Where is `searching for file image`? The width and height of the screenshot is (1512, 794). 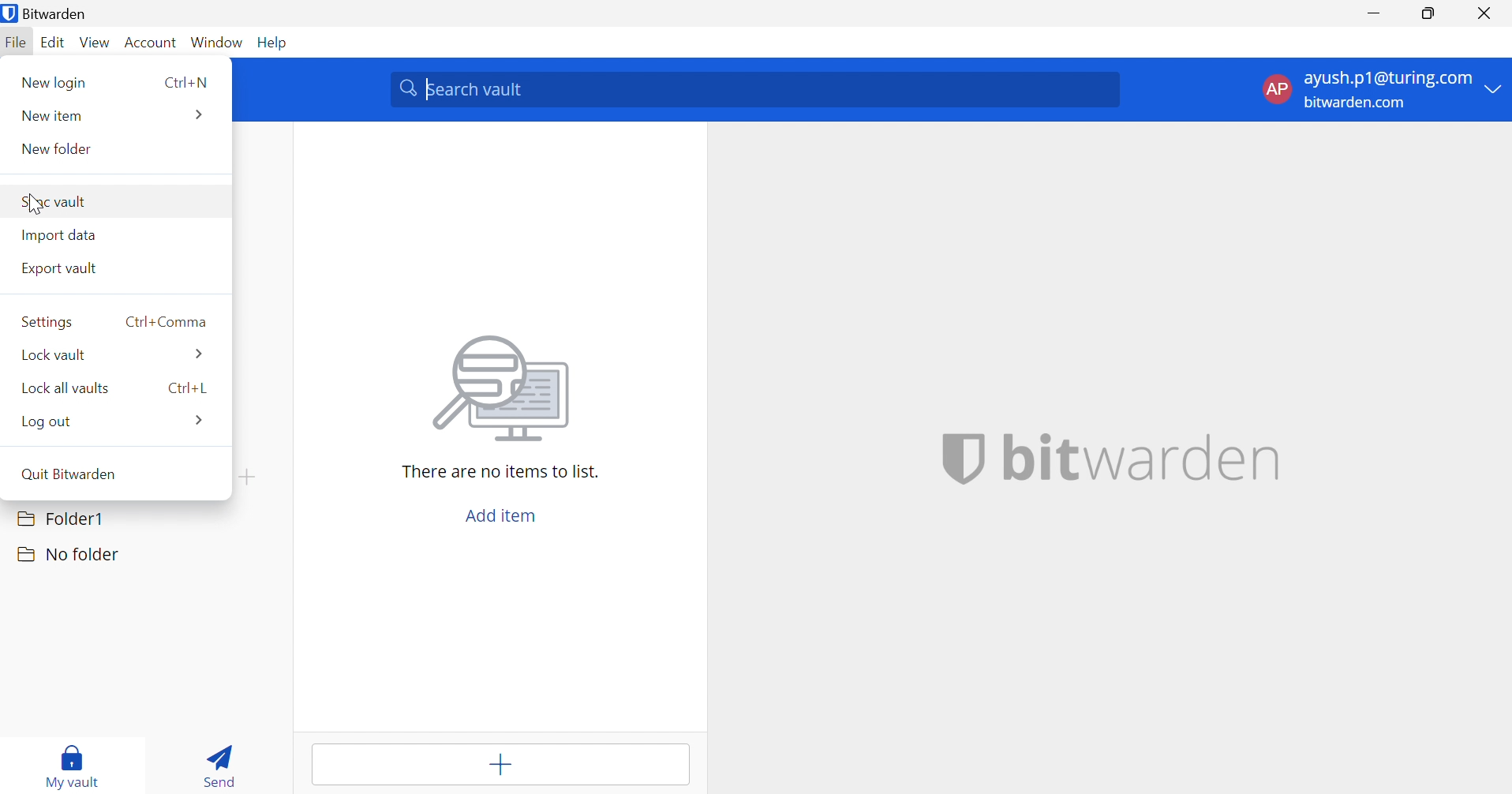
searching for file image is located at coordinates (505, 392).